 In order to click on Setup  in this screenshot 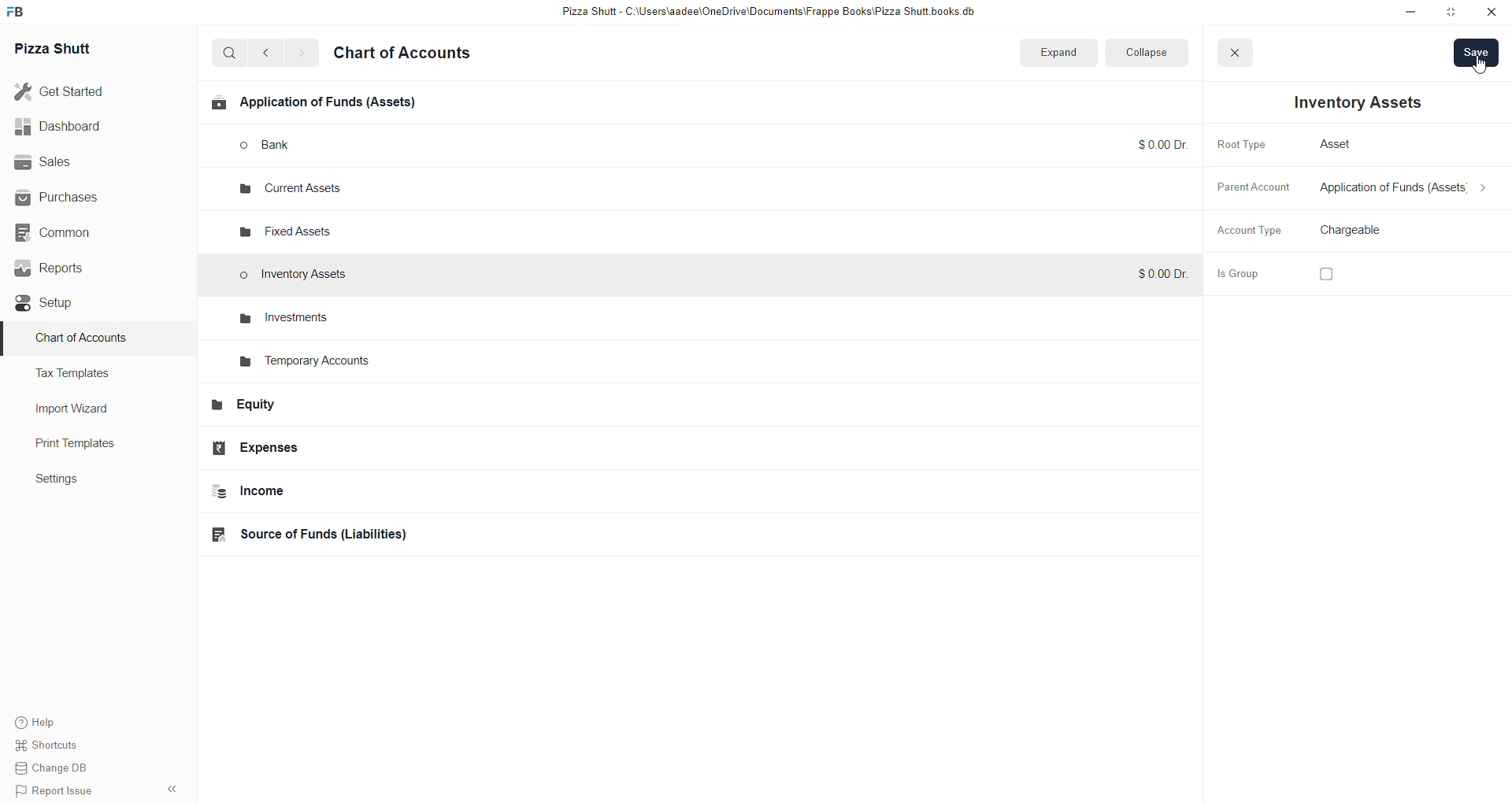, I will do `click(63, 305)`.